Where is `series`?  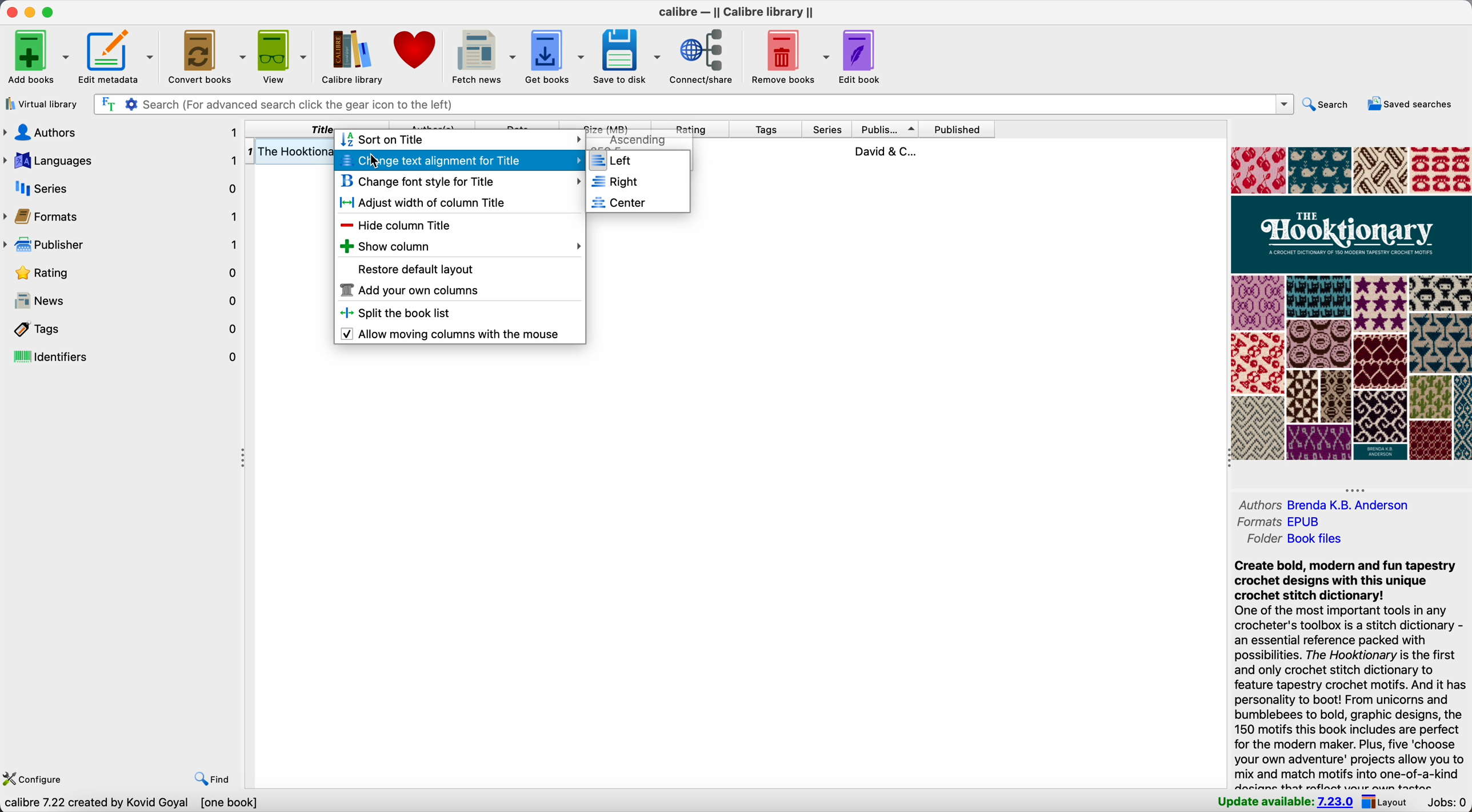
series is located at coordinates (122, 188).